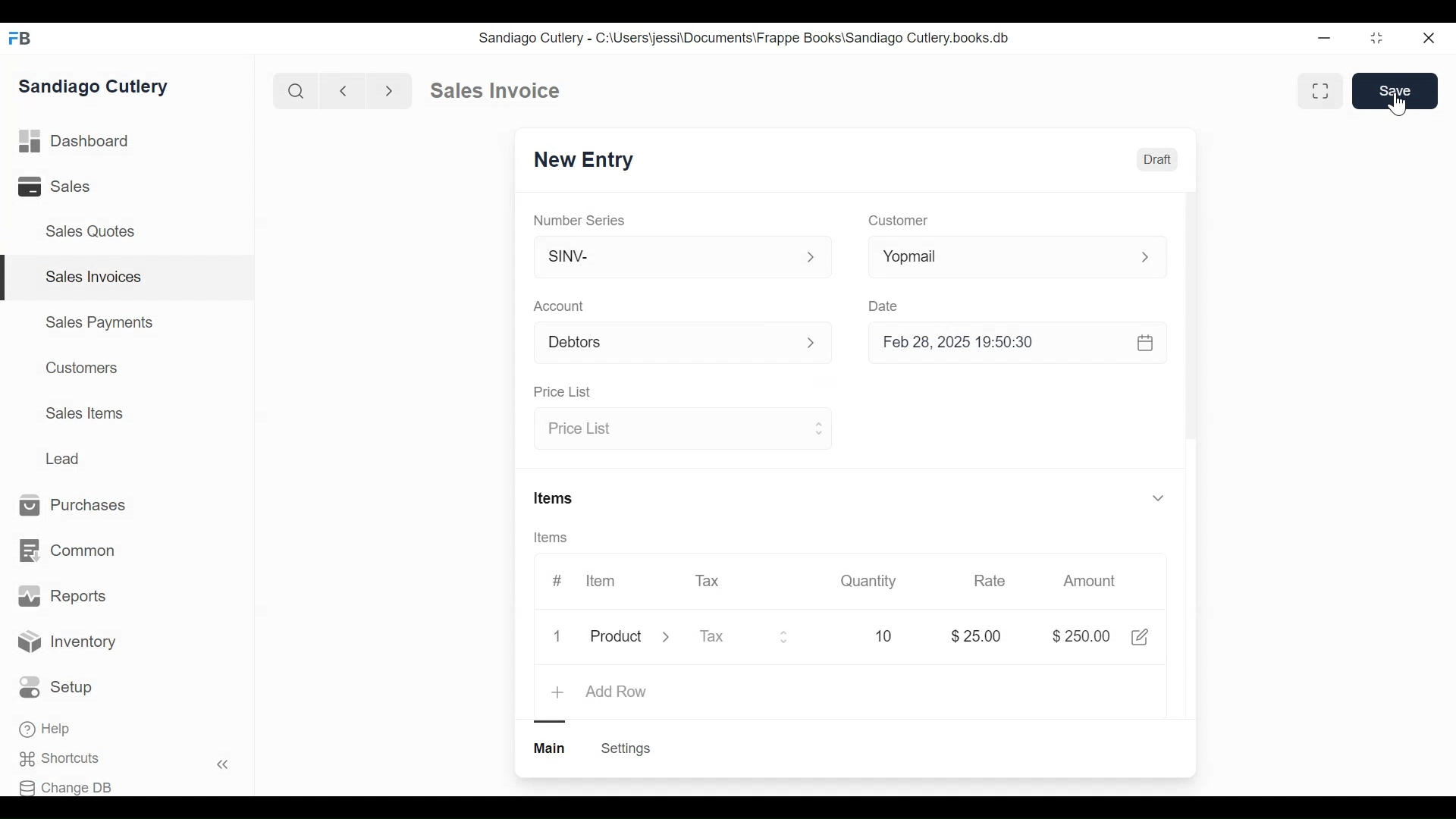 The width and height of the screenshot is (1456, 819). What do you see at coordinates (680, 430) in the screenshot?
I see `Price List` at bounding box center [680, 430].